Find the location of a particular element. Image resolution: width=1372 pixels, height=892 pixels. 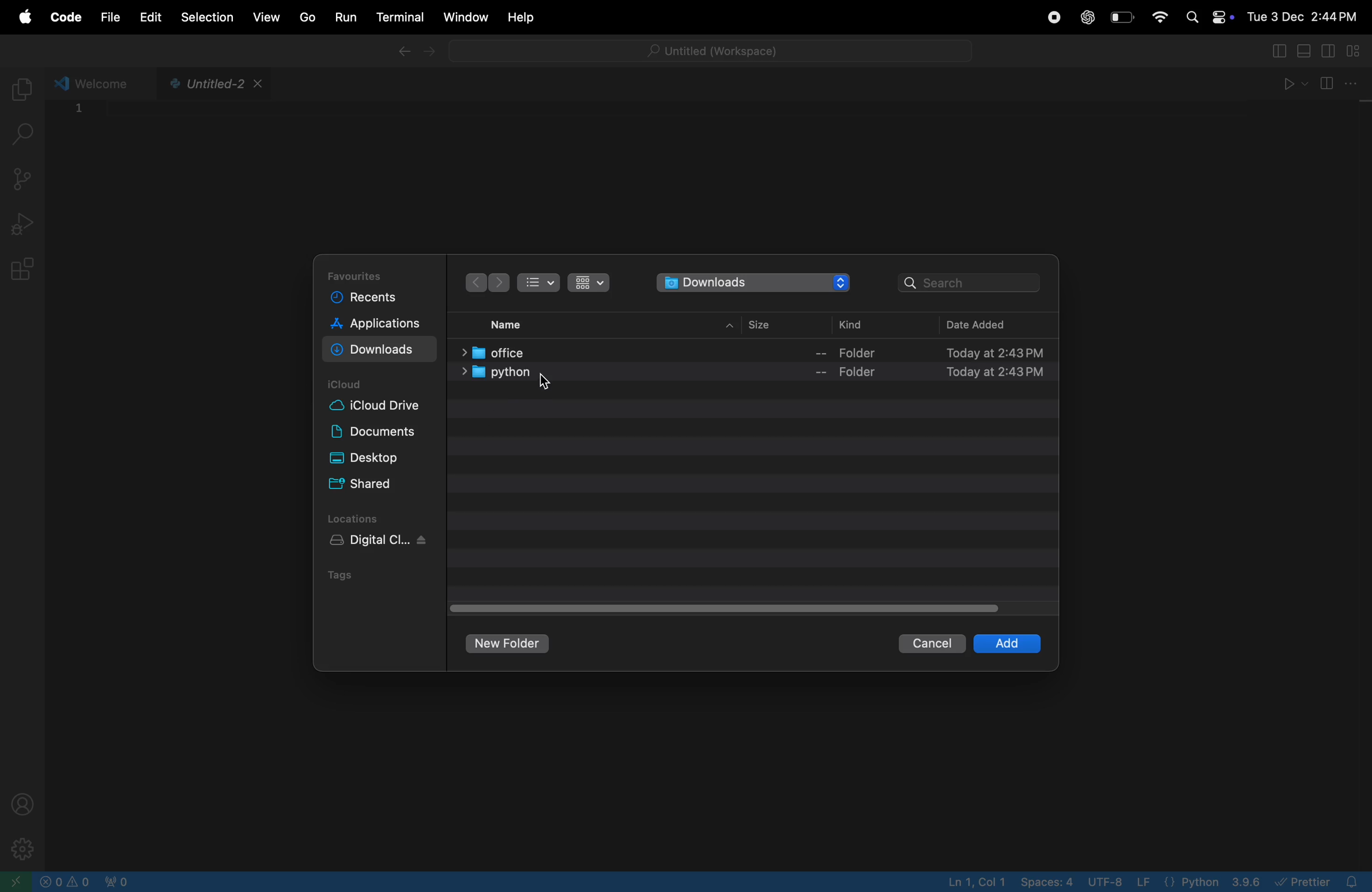

folder is located at coordinates (851, 354).